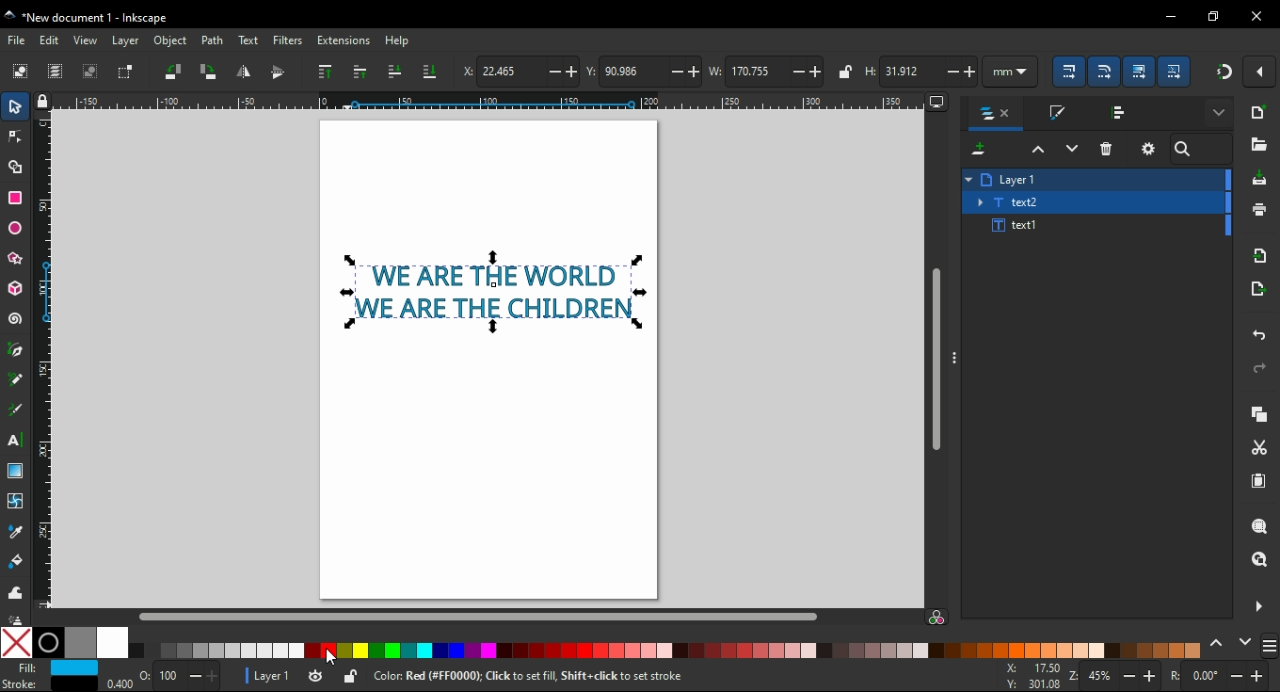 The image size is (1280, 692). What do you see at coordinates (1035, 676) in the screenshot?
I see `cursor coordinates` at bounding box center [1035, 676].